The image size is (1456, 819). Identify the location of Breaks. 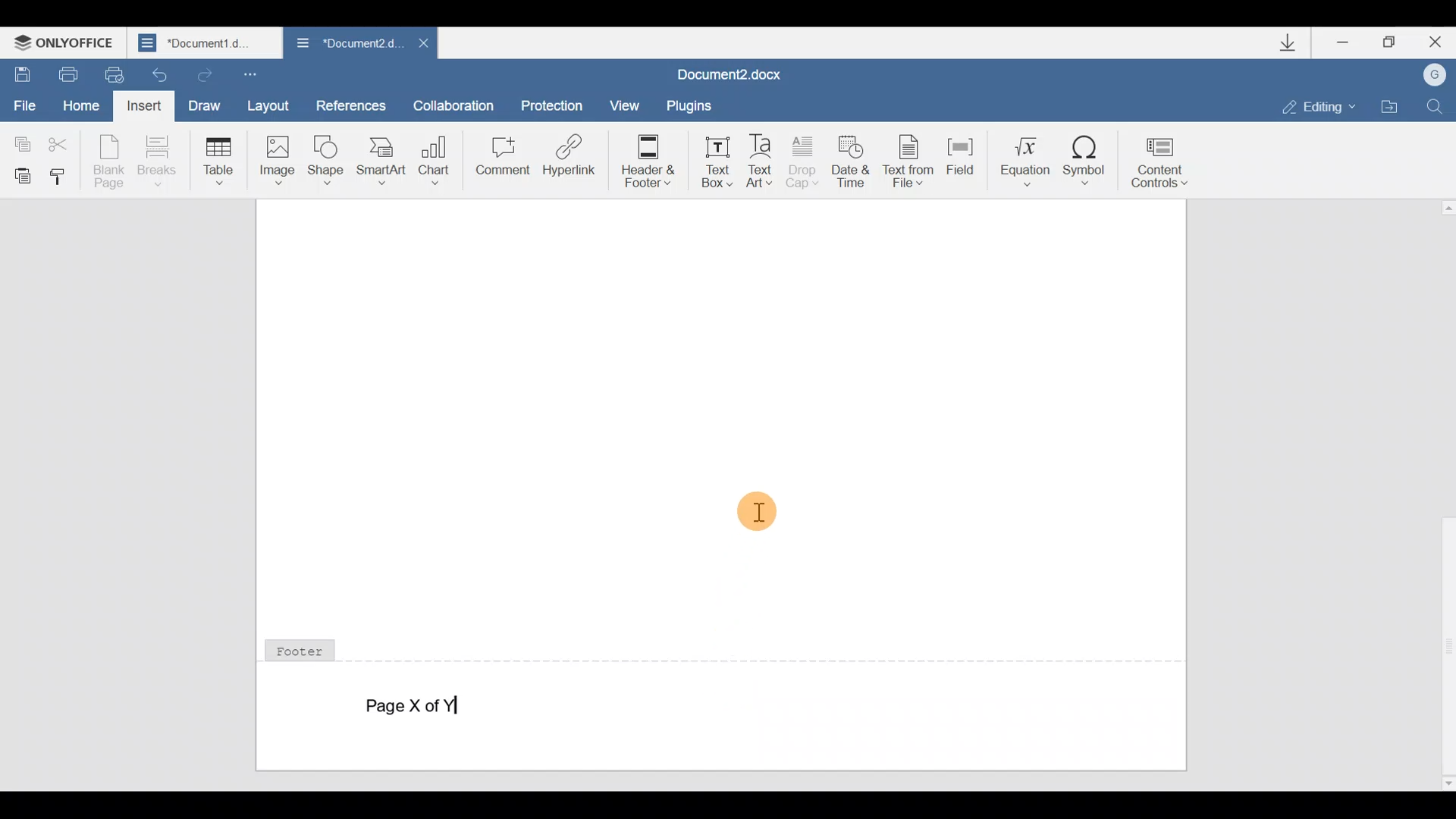
(155, 161).